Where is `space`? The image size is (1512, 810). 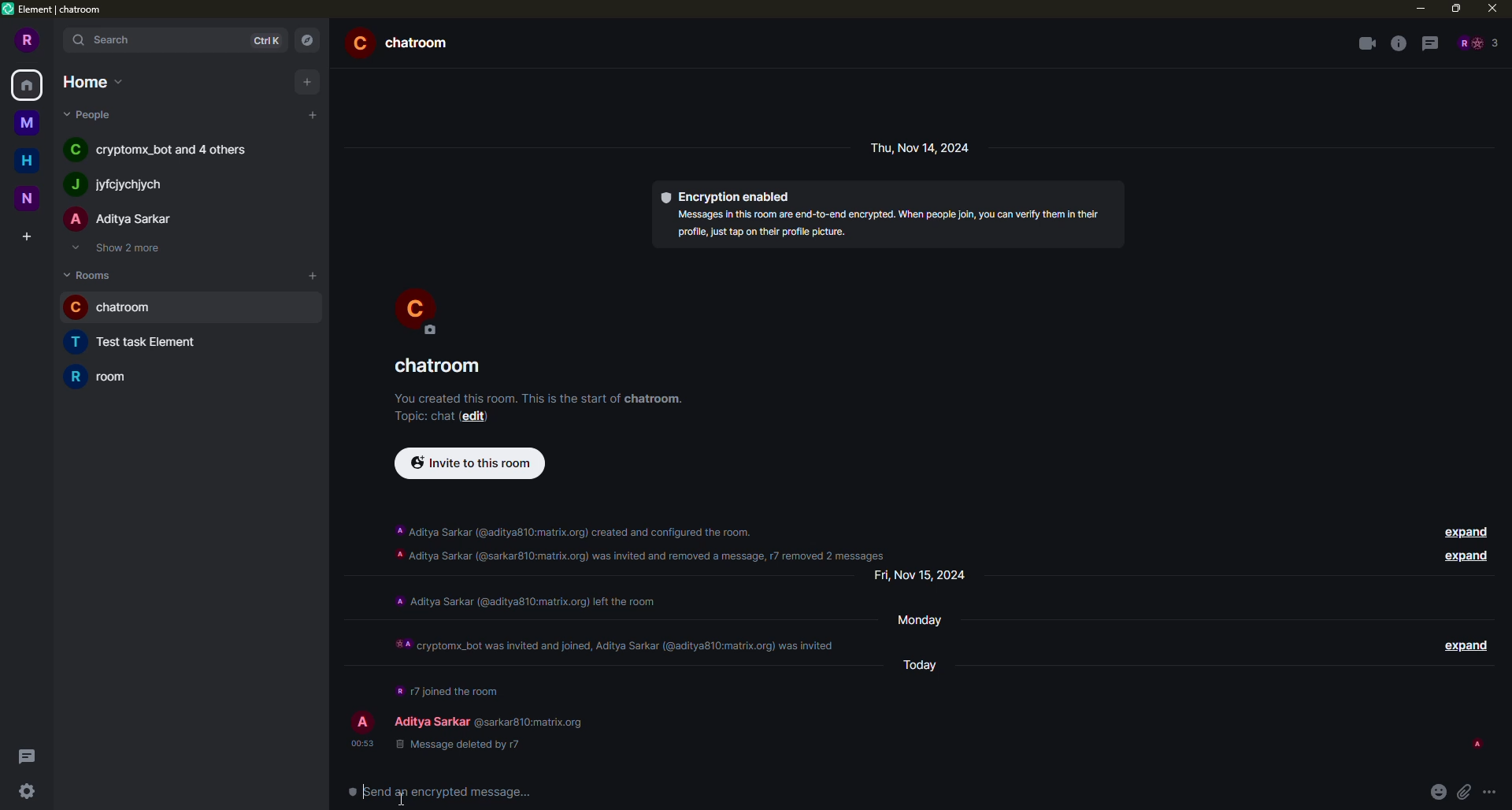 space is located at coordinates (25, 120).